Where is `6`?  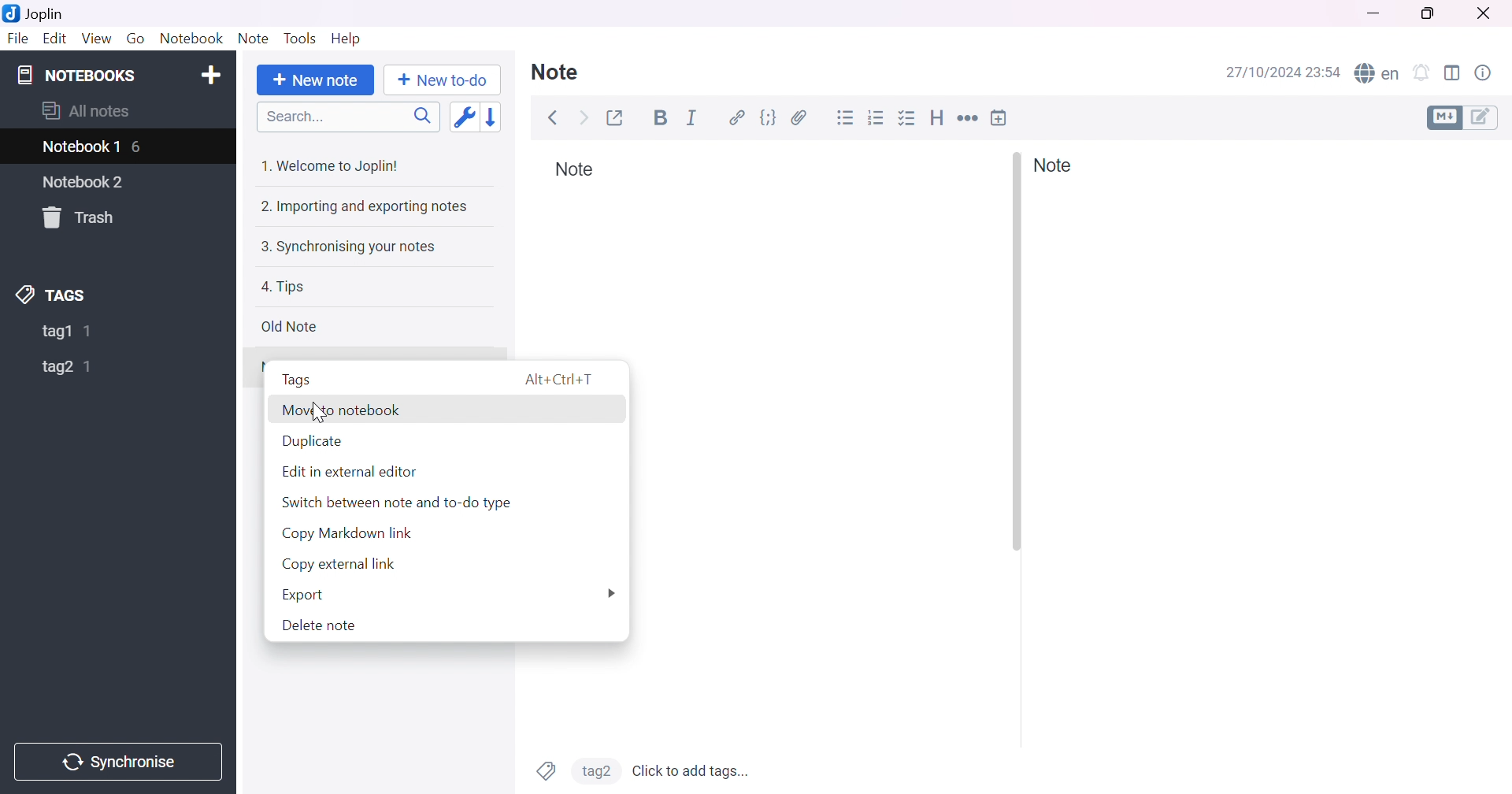
6 is located at coordinates (139, 146).